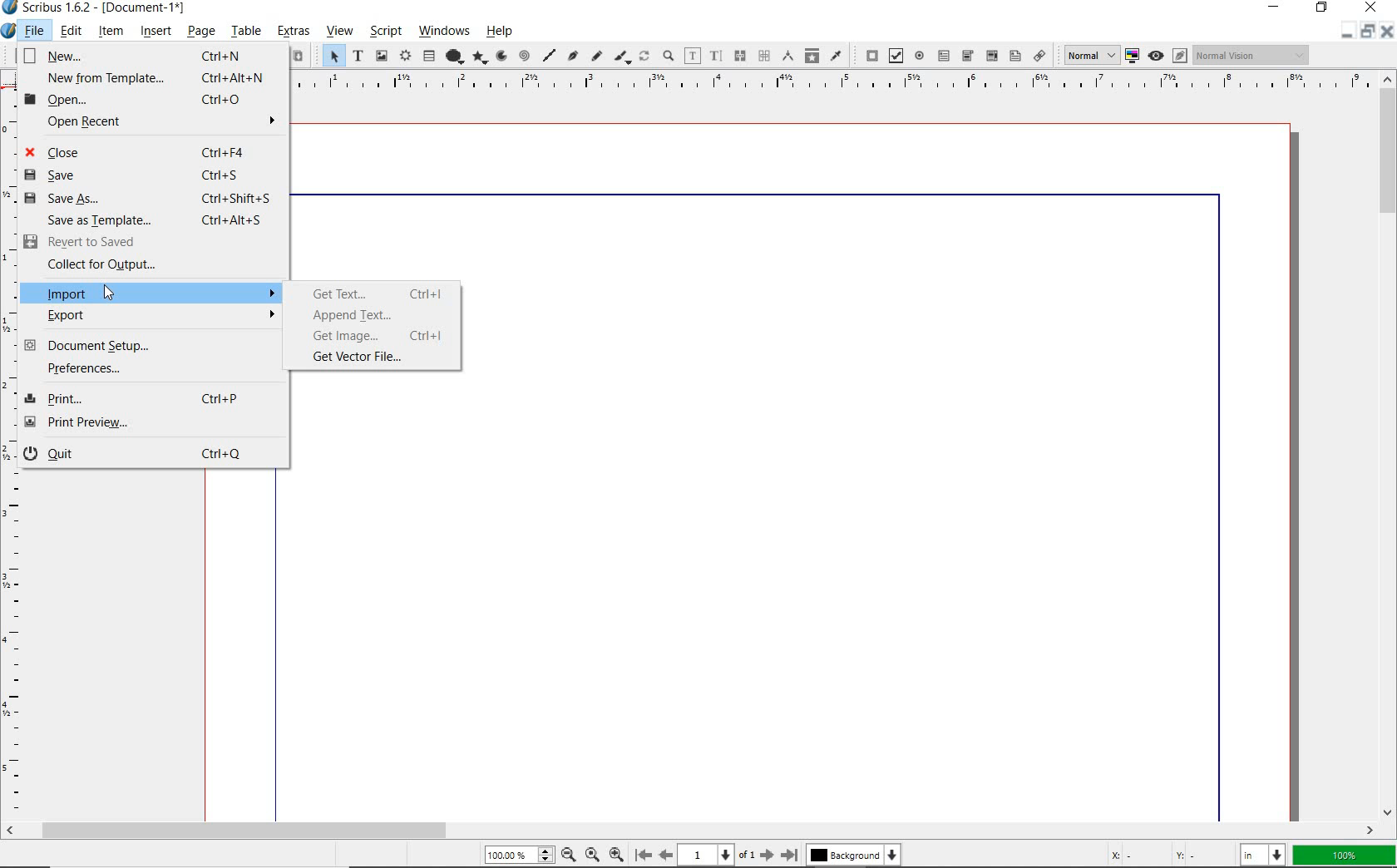 This screenshot has height=868, width=1397. What do you see at coordinates (569, 855) in the screenshot?
I see `Zoom Out` at bounding box center [569, 855].